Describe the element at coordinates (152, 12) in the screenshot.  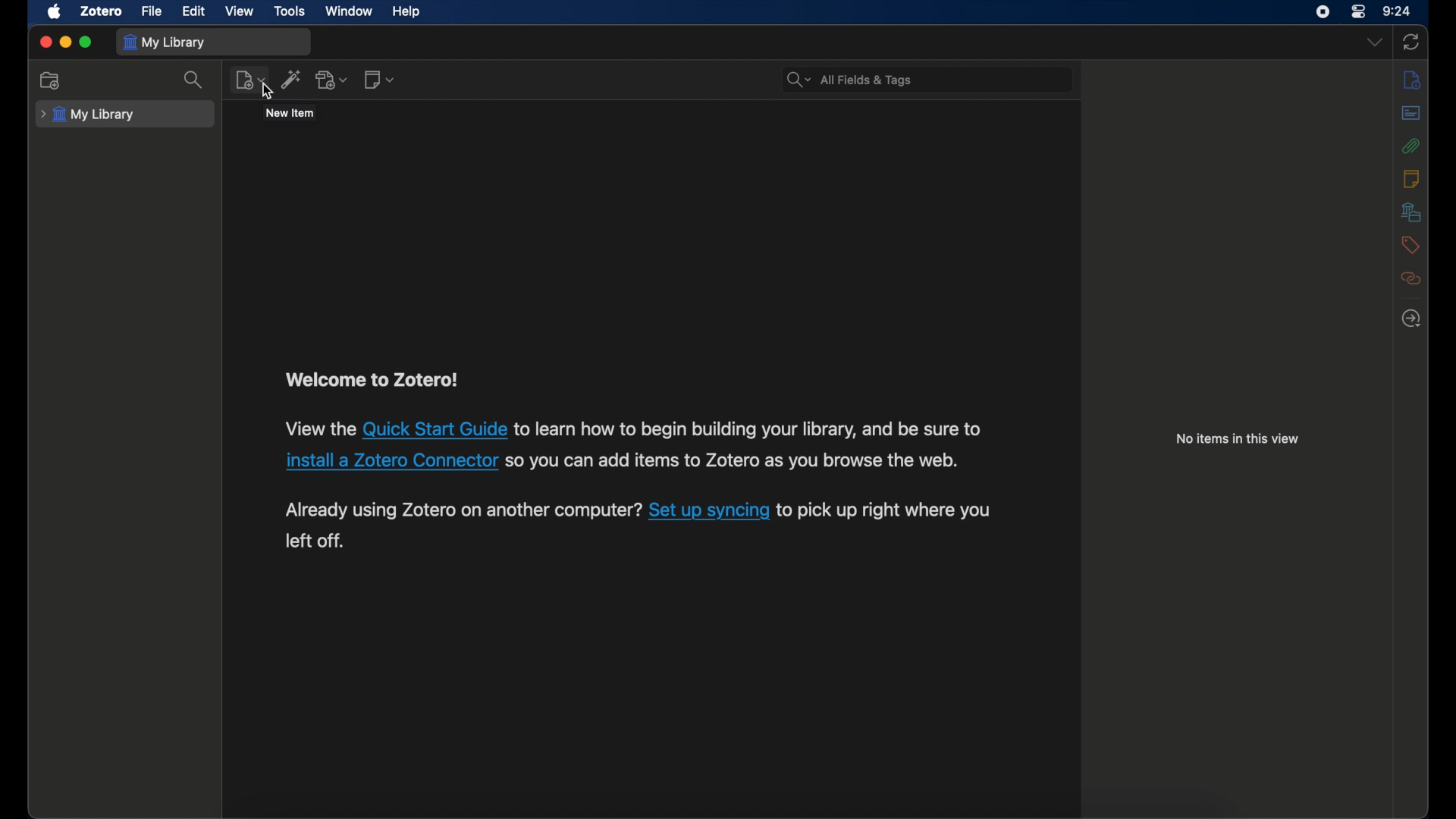
I see `file` at that location.